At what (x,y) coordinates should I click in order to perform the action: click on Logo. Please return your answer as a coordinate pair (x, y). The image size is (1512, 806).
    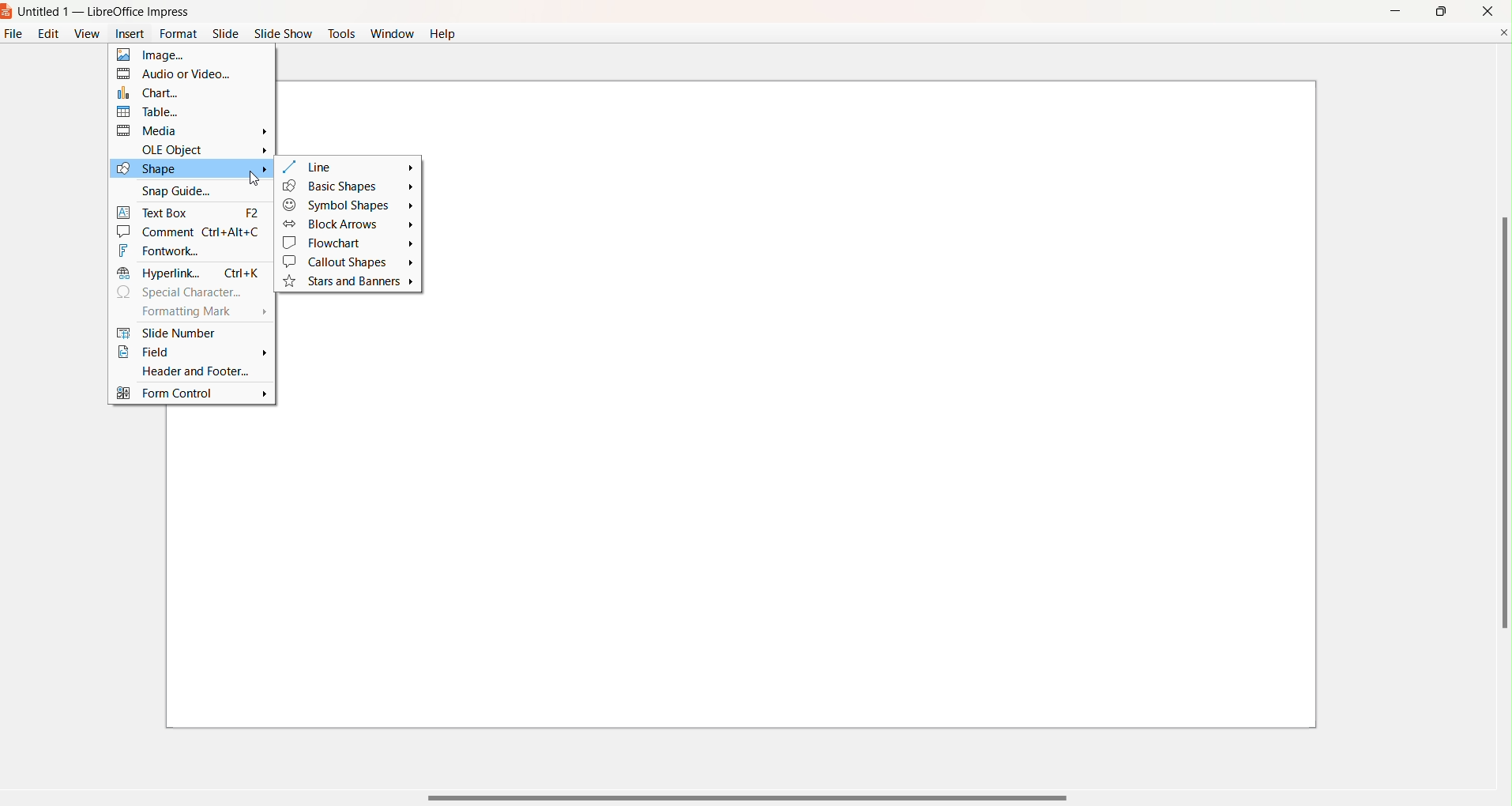
    Looking at the image, I should click on (8, 13).